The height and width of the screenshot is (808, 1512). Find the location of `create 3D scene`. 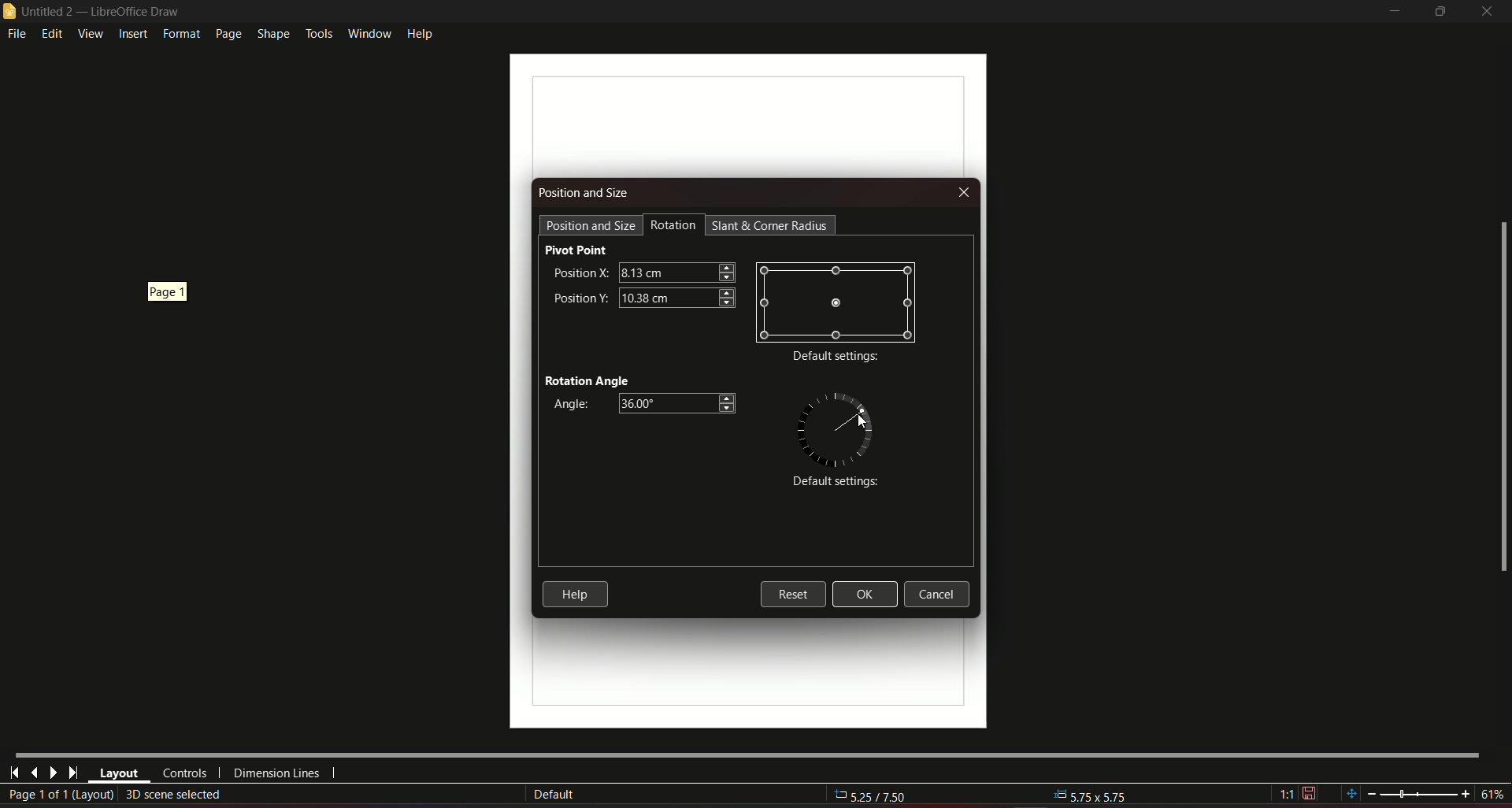

create 3D scene is located at coordinates (175, 794).